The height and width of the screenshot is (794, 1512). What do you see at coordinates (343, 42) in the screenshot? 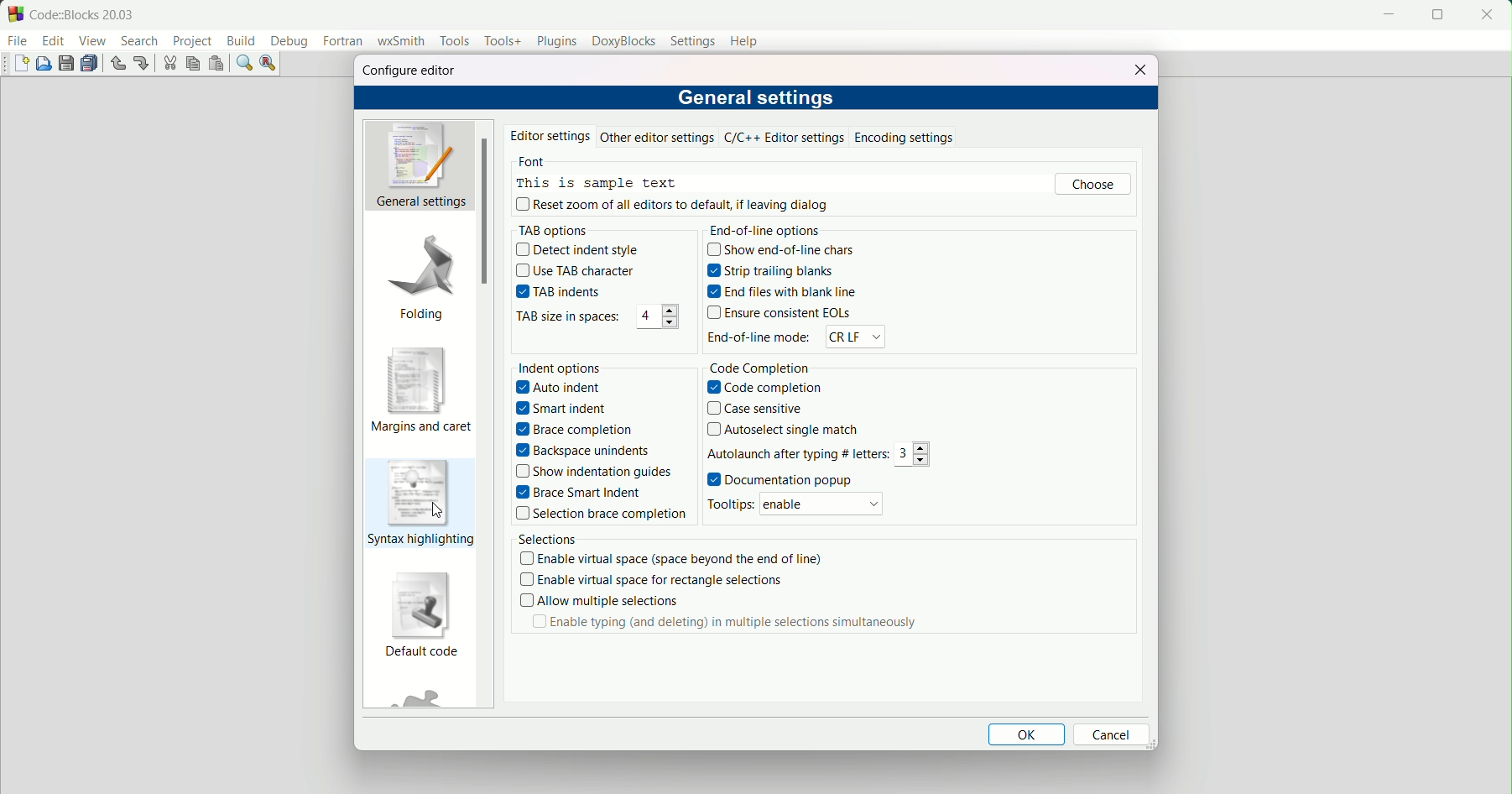
I see `fortran` at bounding box center [343, 42].